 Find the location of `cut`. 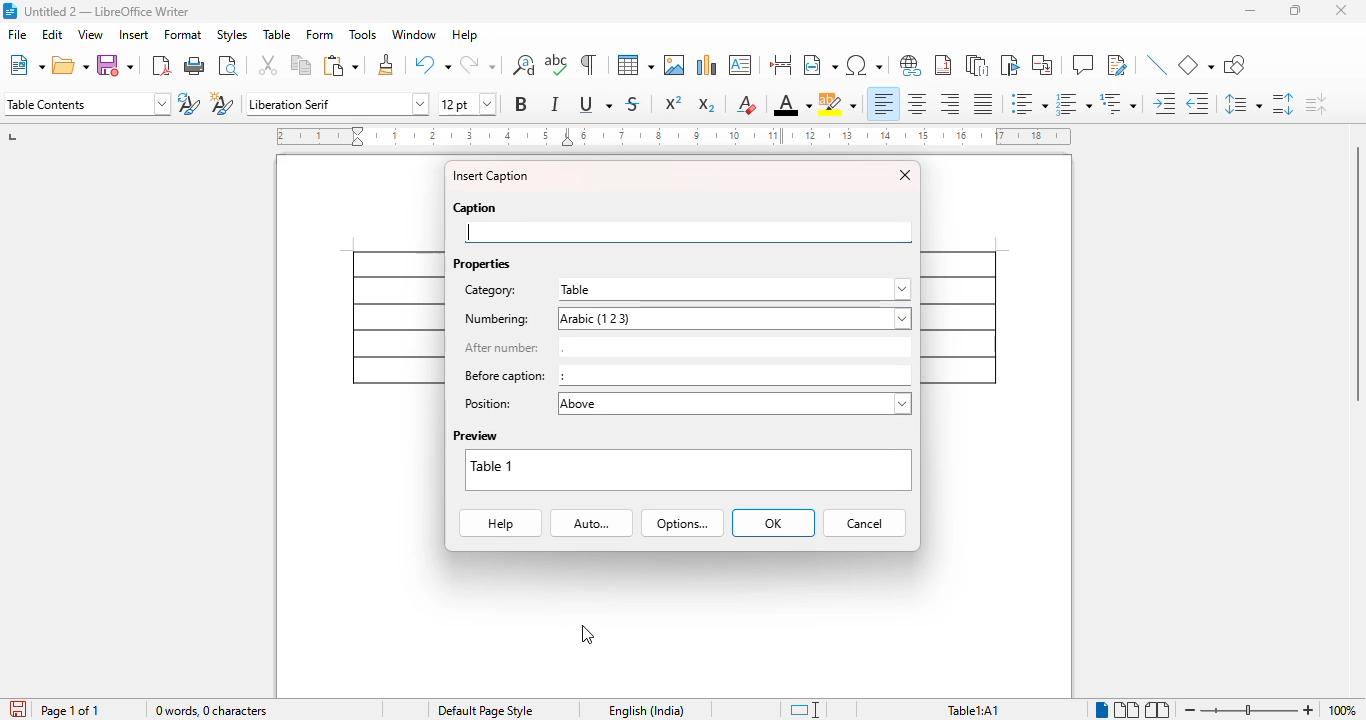

cut is located at coordinates (268, 64).